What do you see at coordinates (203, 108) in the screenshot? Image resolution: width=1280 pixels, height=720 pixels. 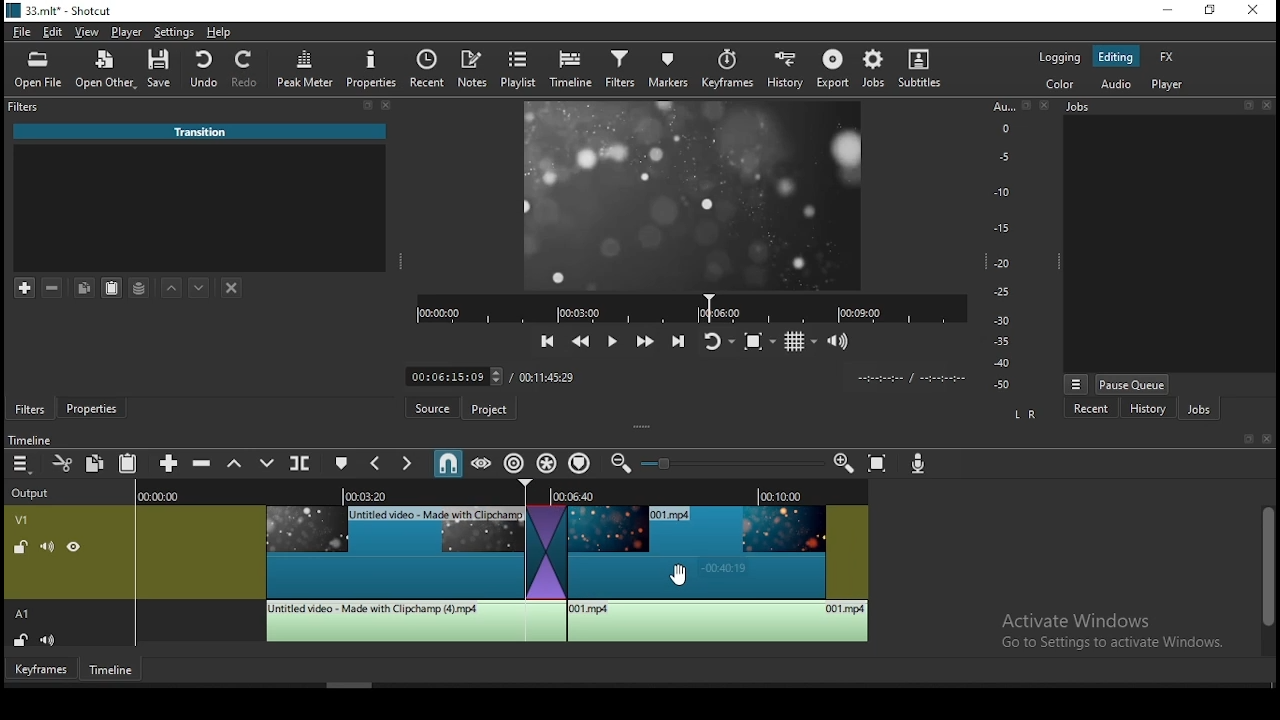 I see `filters` at bounding box center [203, 108].